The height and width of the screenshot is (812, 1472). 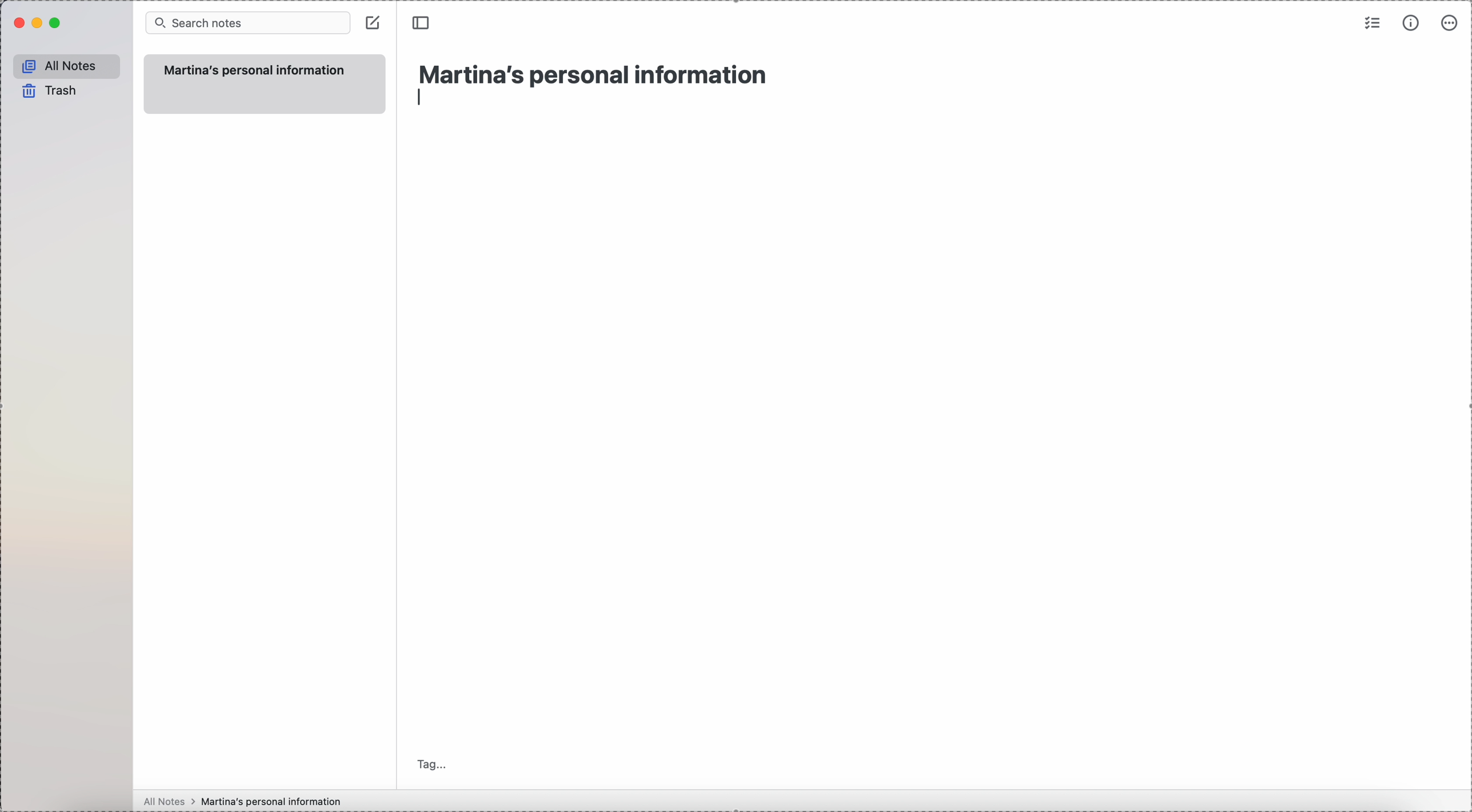 What do you see at coordinates (1413, 23) in the screenshot?
I see `metrics` at bounding box center [1413, 23].